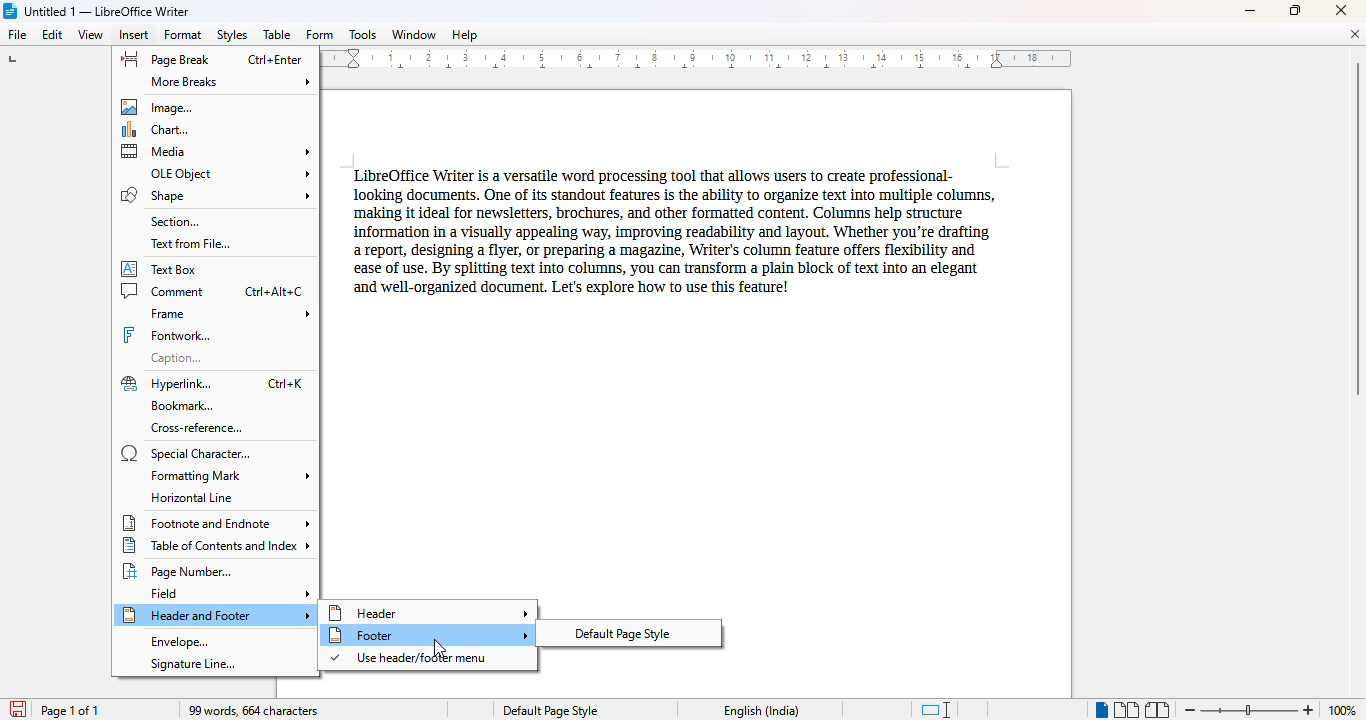 The height and width of the screenshot is (720, 1366). What do you see at coordinates (1308, 710) in the screenshot?
I see `zoom in` at bounding box center [1308, 710].